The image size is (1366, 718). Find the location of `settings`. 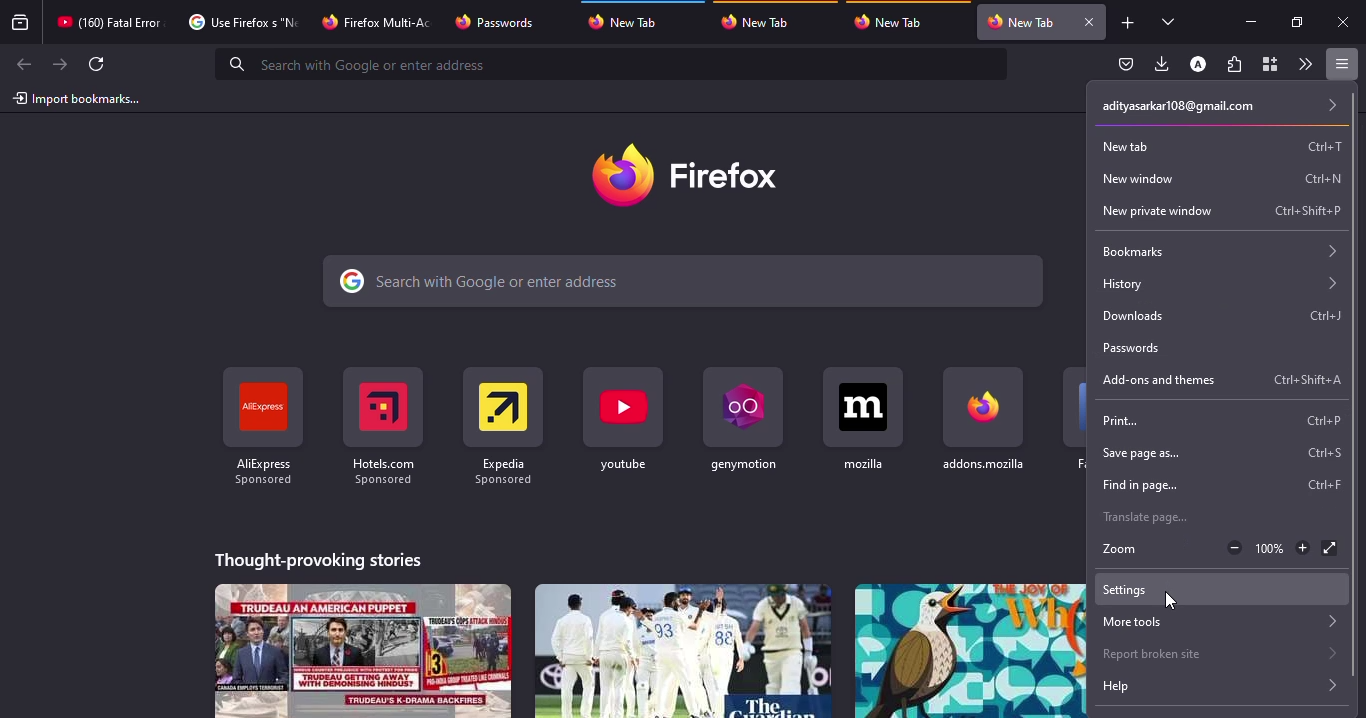

settings is located at coordinates (1129, 589).